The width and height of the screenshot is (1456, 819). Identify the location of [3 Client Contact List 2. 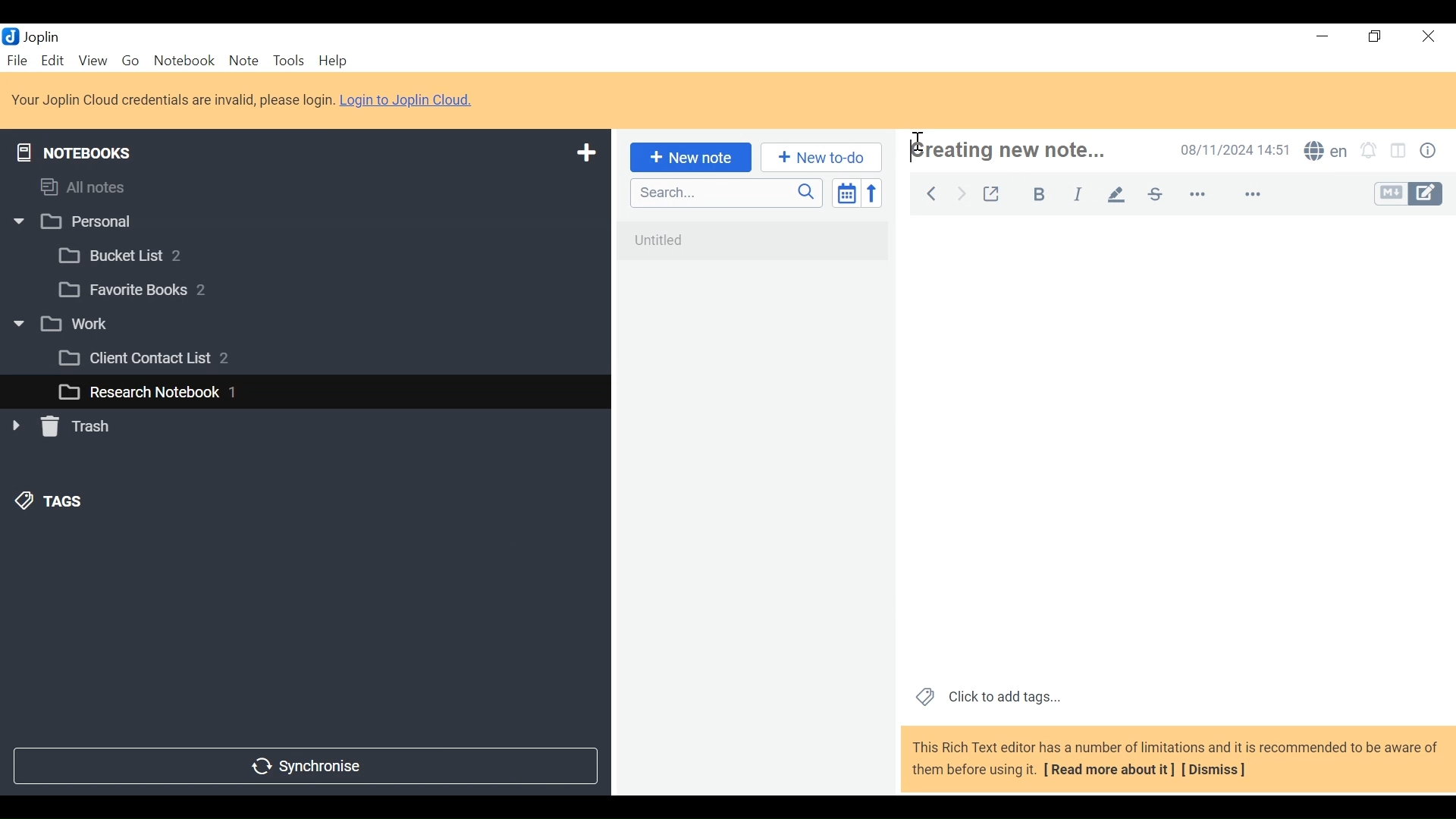
(166, 362).